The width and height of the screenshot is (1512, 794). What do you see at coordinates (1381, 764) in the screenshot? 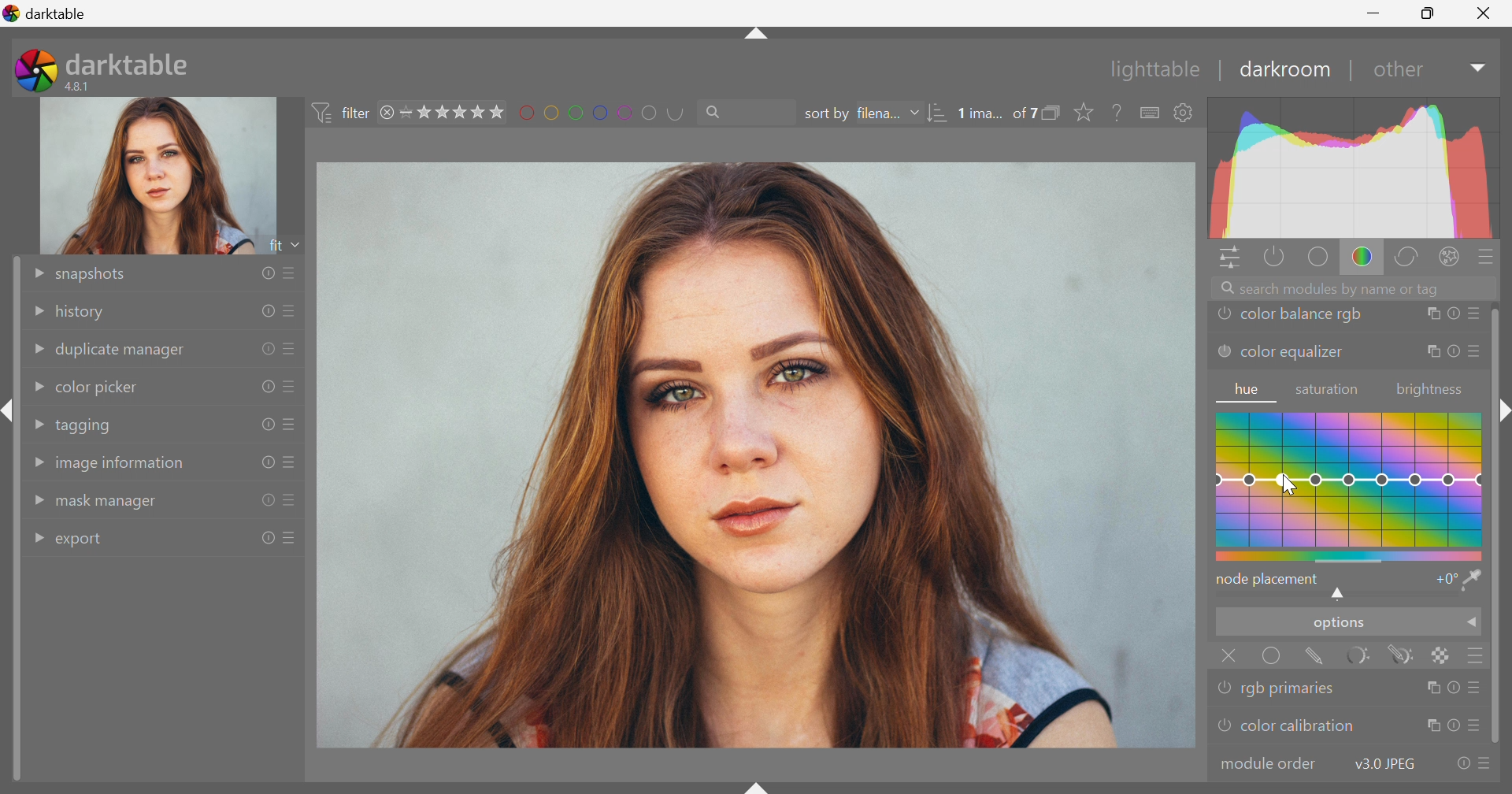
I see `v3.0 JPEG` at bounding box center [1381, 764].